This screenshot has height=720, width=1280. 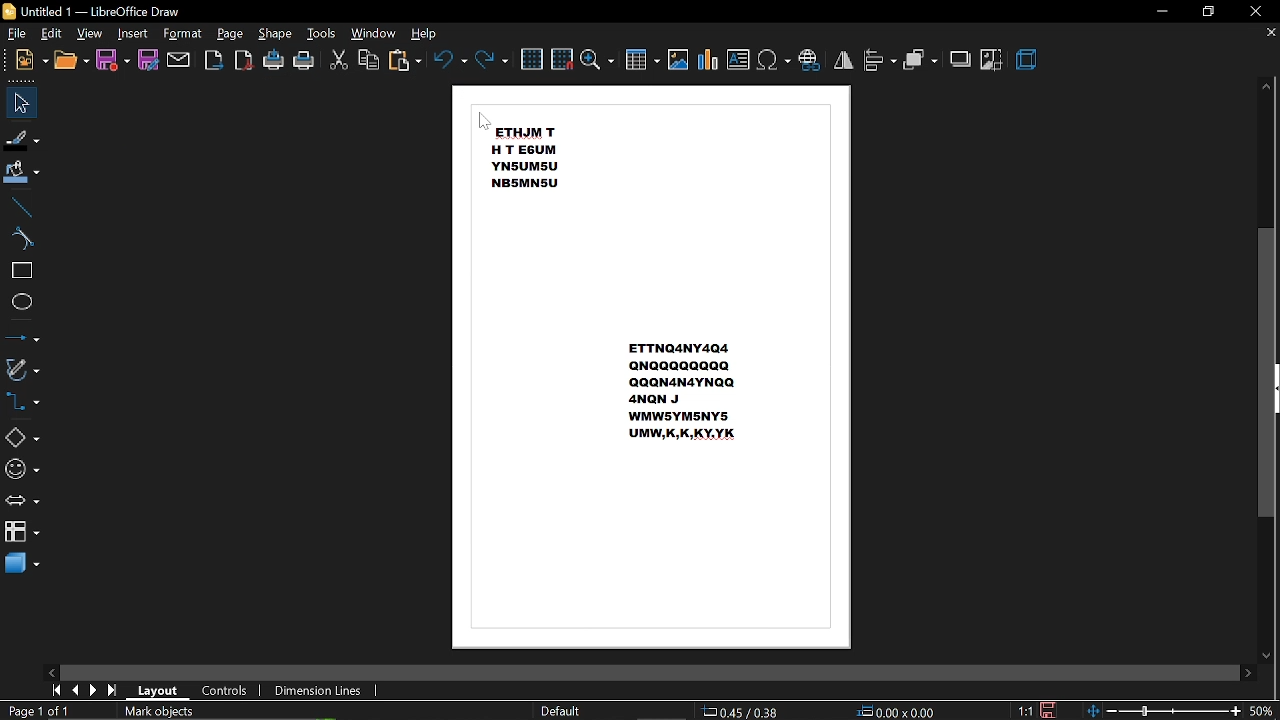 I want to click on rectangle, so click(x=20, y=272).